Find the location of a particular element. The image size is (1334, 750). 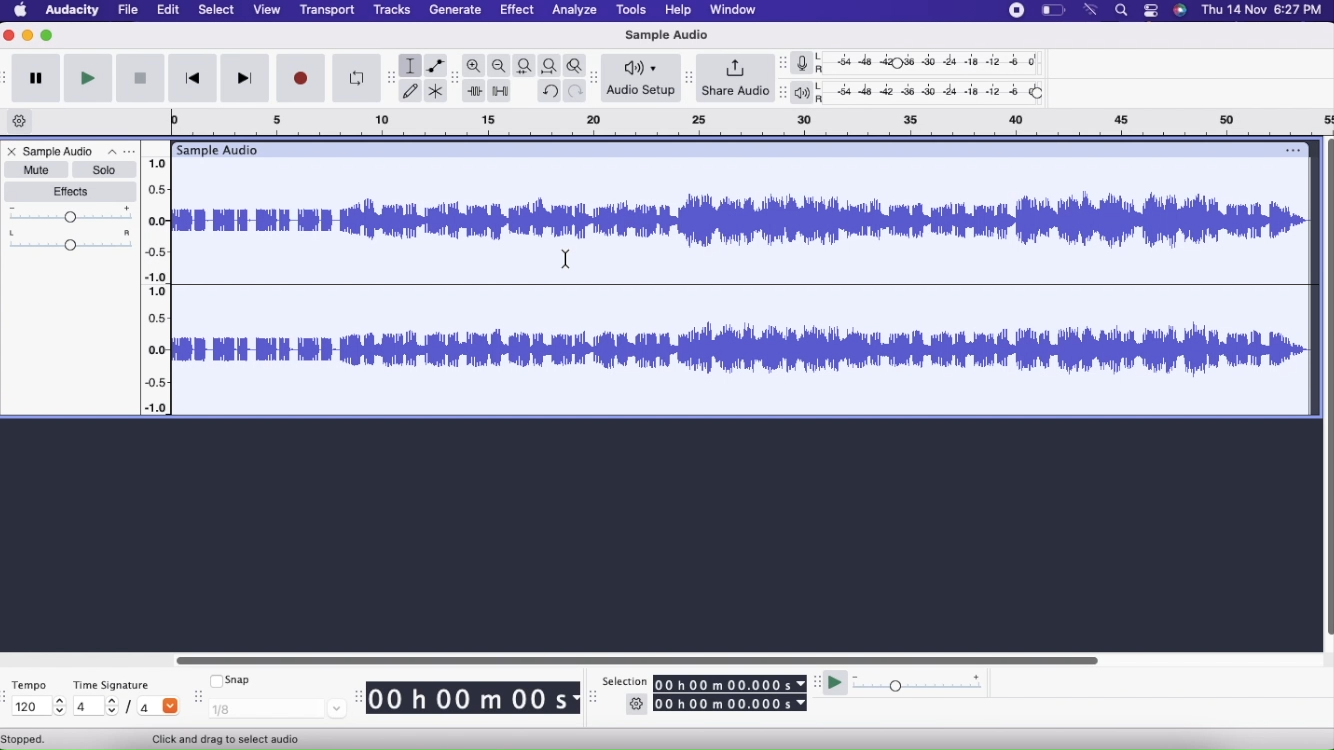

Selection tool is located at coordinates (411, 65).